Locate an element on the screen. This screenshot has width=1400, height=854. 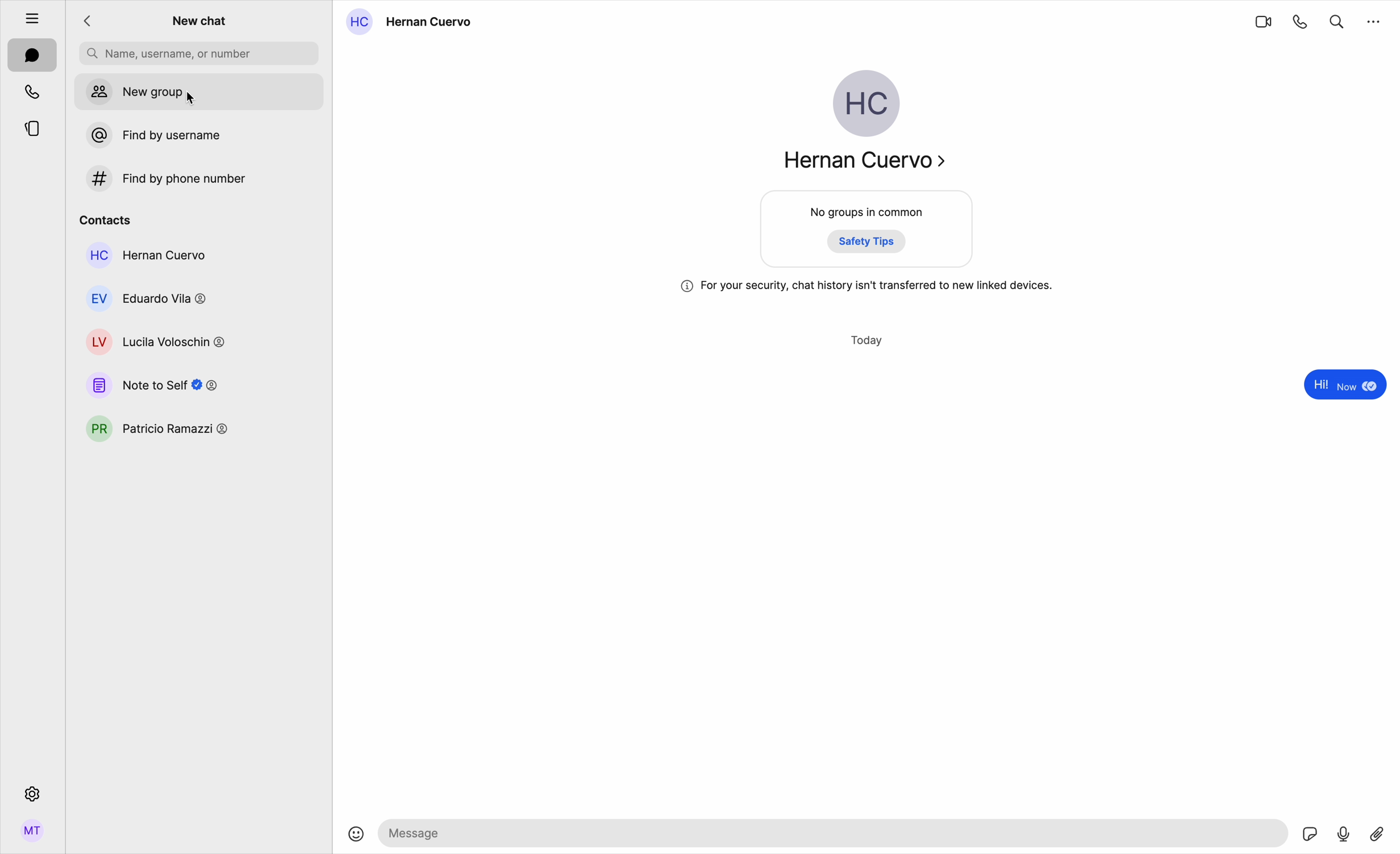
find by username is located at coordinates (149, 135).